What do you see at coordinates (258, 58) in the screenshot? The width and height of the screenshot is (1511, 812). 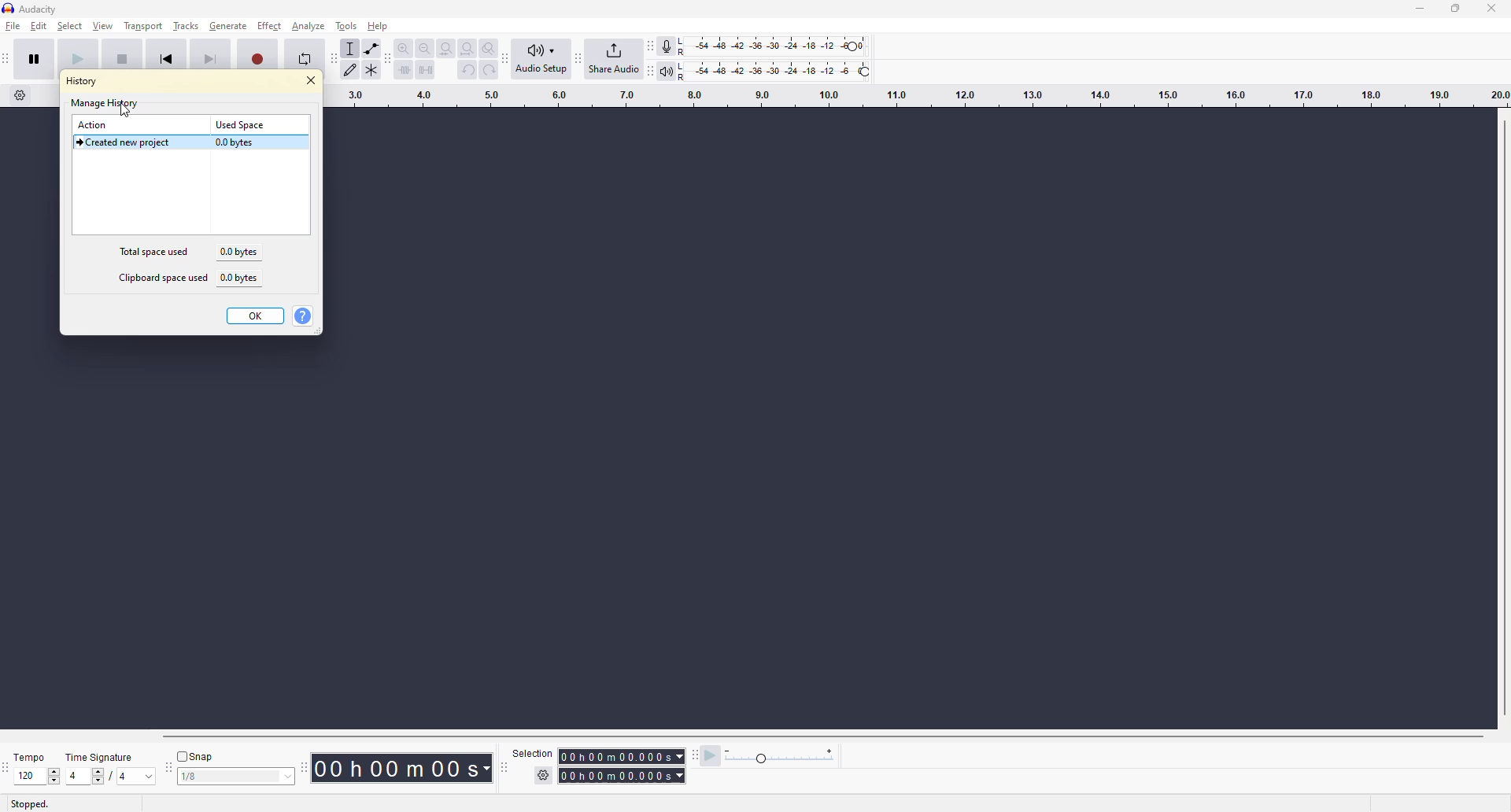 I see `record` at bounding box center [258, 58].